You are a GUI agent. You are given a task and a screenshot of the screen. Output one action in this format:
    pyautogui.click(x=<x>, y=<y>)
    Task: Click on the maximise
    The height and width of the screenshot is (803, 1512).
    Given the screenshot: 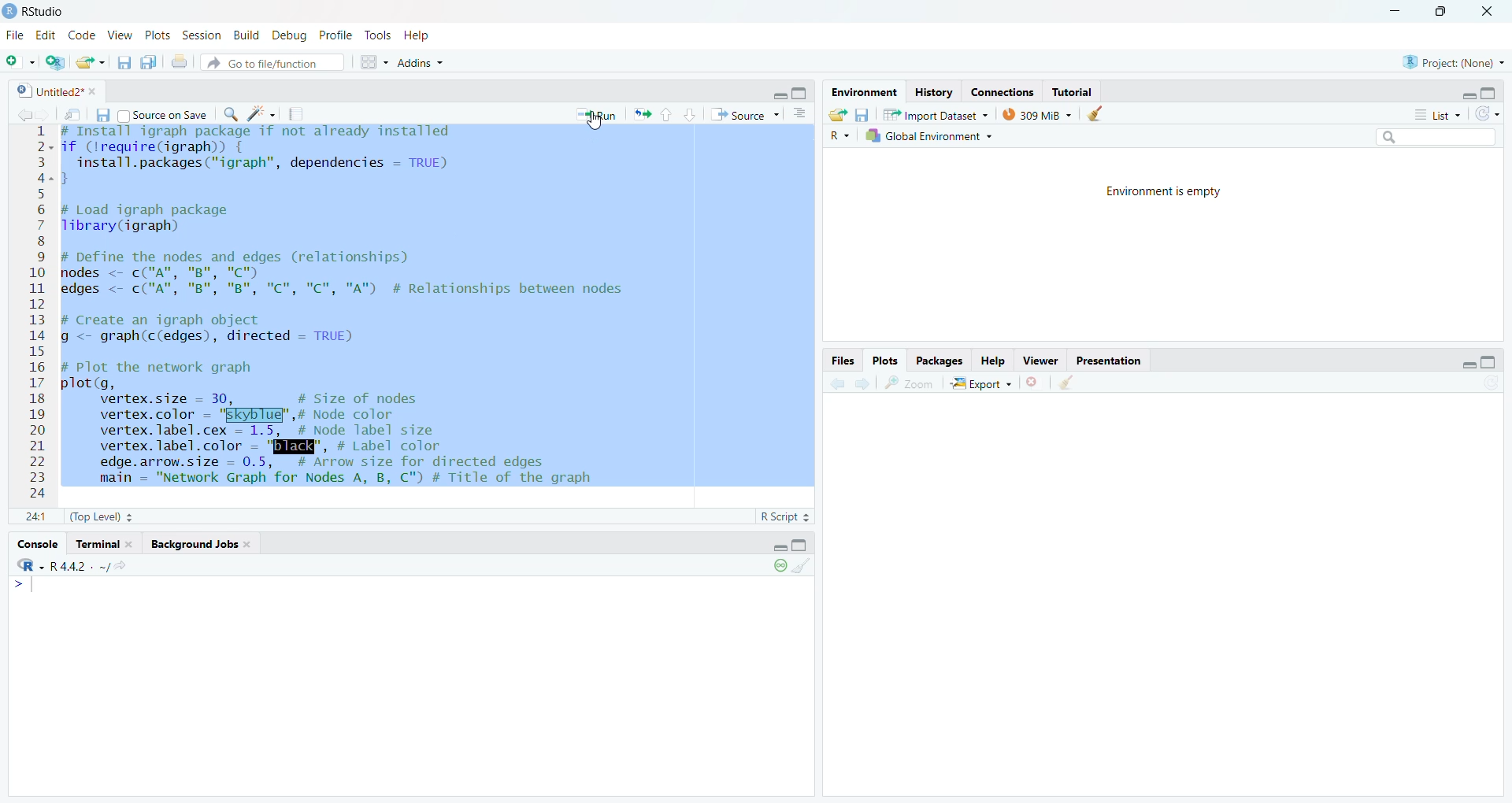 What is the action you would take?
    pyautogui.click(x=1444, y=12)
    